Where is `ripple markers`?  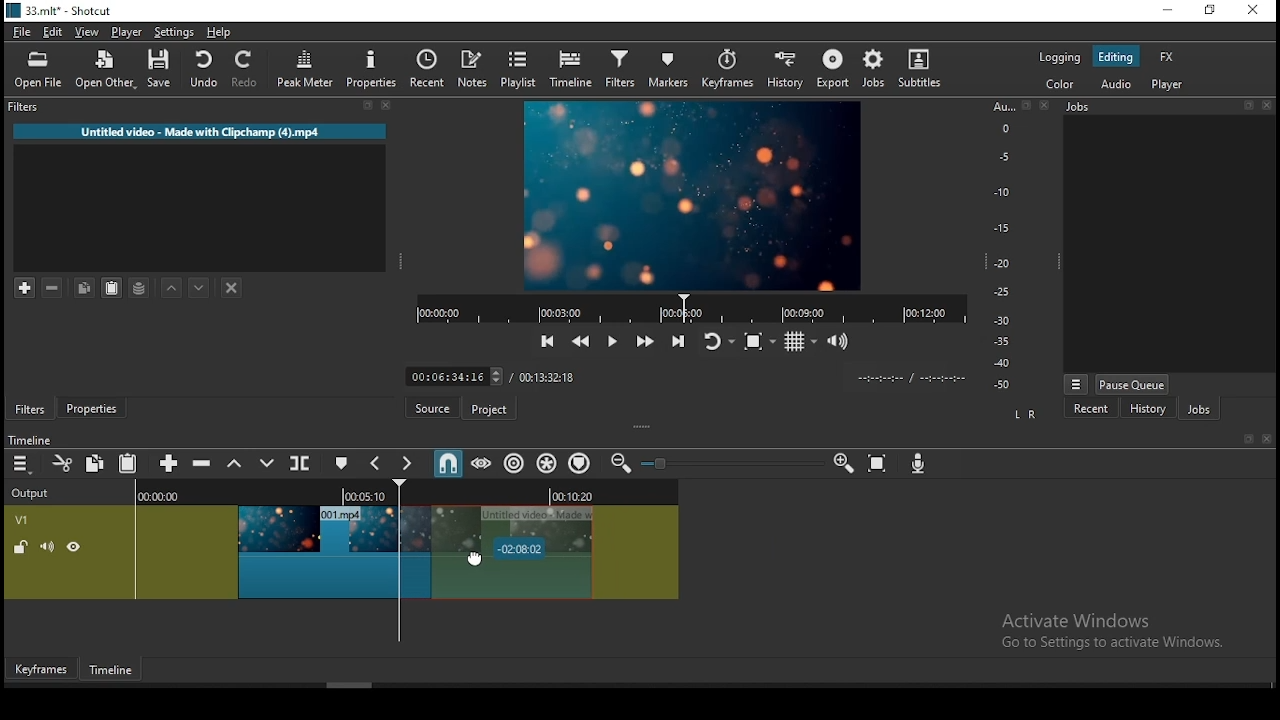 ripple markers is located at coordinates (579, 463).